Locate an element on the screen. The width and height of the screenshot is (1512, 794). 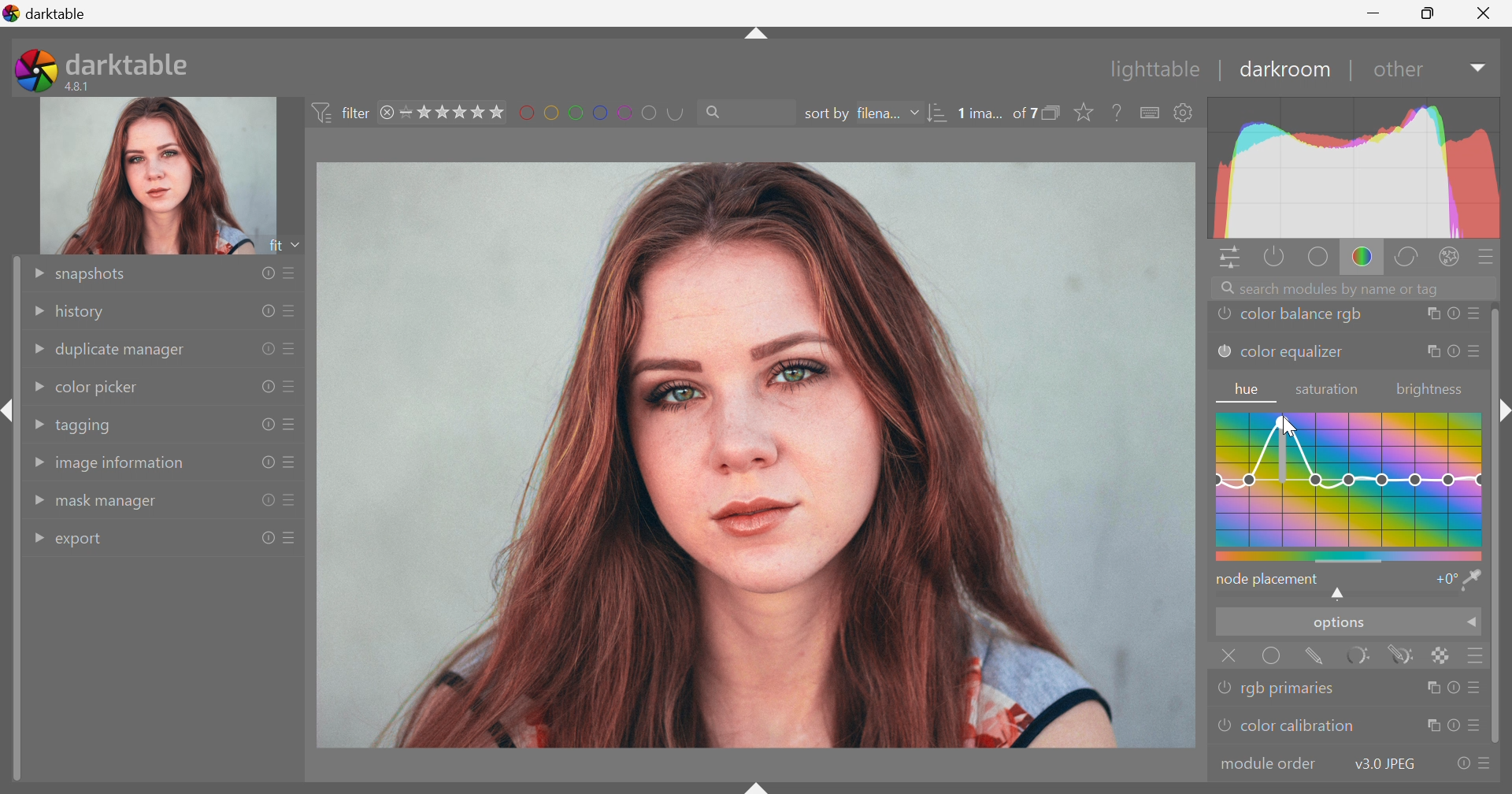
export is located at coordinates (86, 541).